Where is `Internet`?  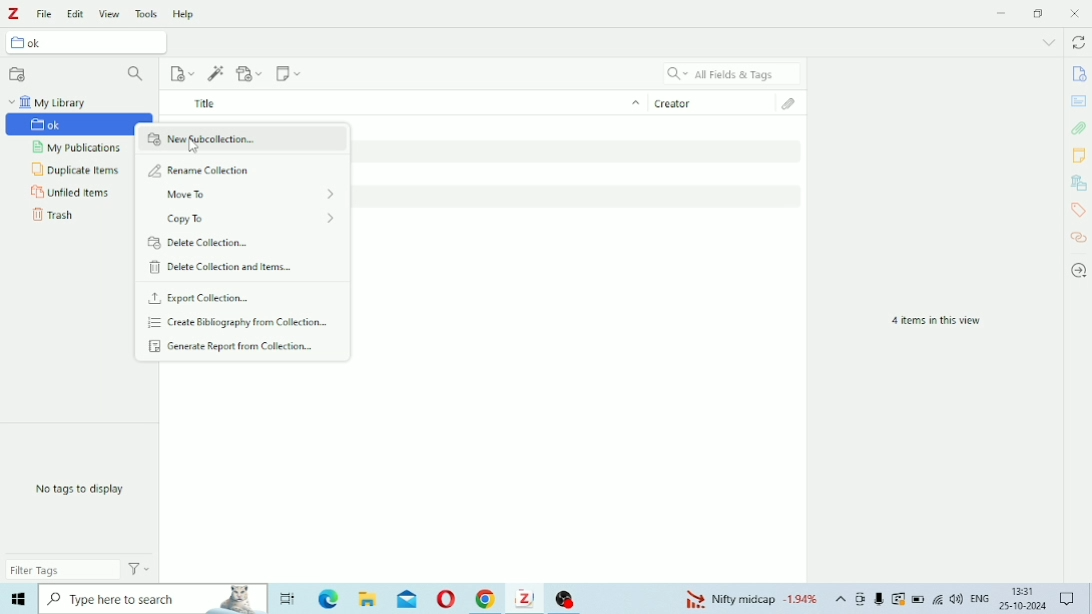 Internet is located at coordinates (938, 599).